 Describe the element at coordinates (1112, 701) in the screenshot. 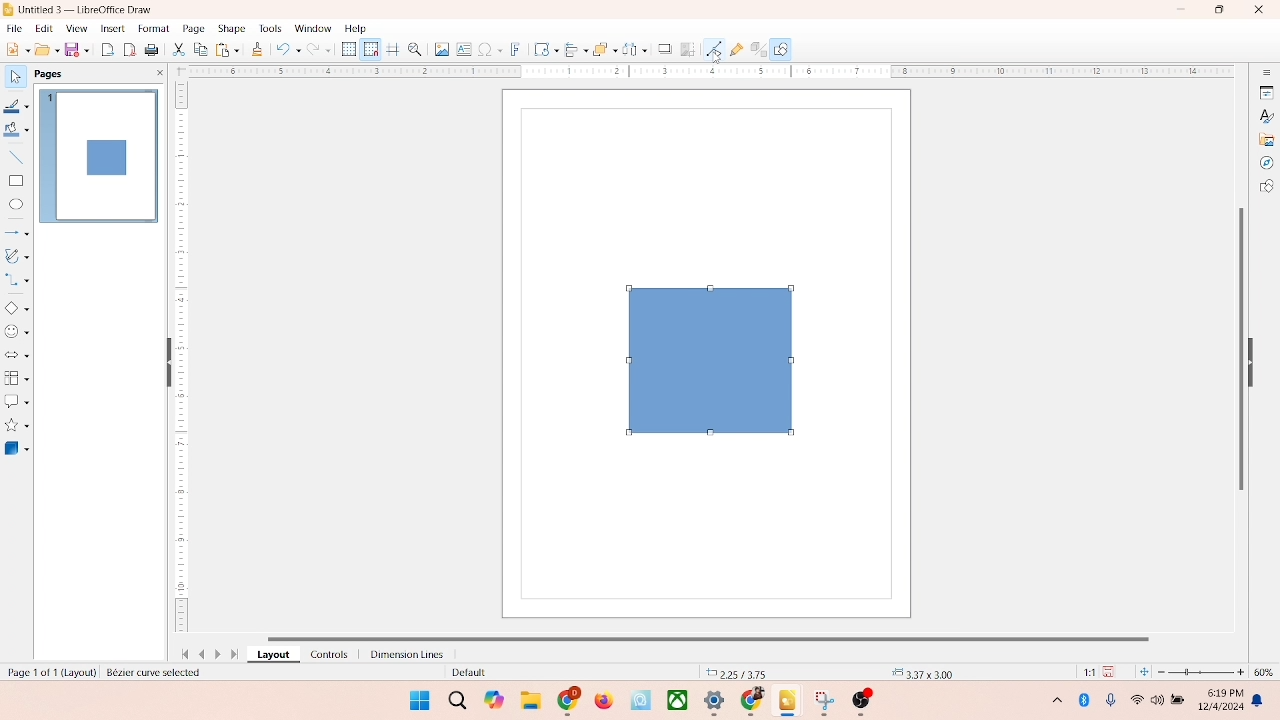

I see `microphone` at that location.